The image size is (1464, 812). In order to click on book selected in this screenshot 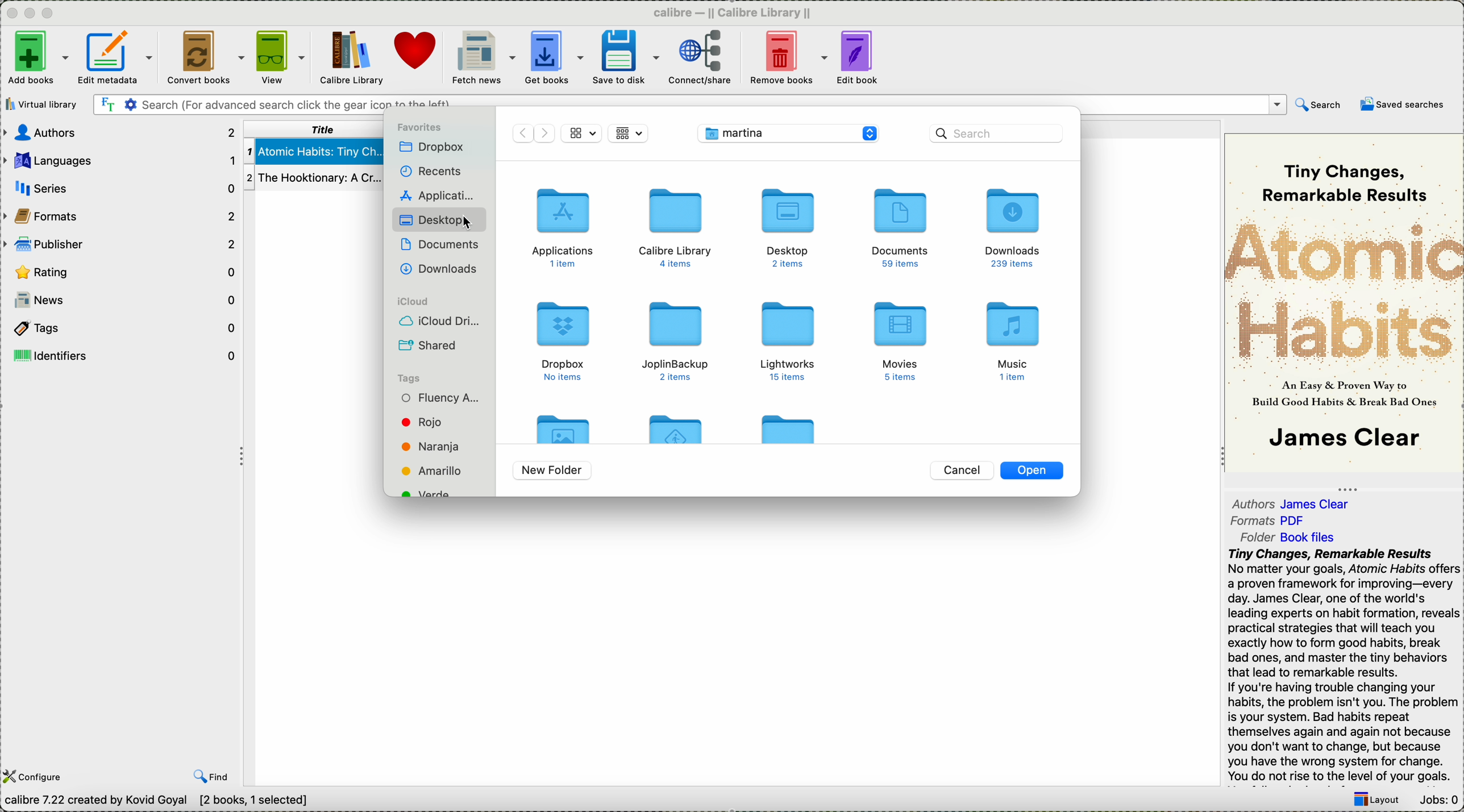, I will do `click(314, 152)`.